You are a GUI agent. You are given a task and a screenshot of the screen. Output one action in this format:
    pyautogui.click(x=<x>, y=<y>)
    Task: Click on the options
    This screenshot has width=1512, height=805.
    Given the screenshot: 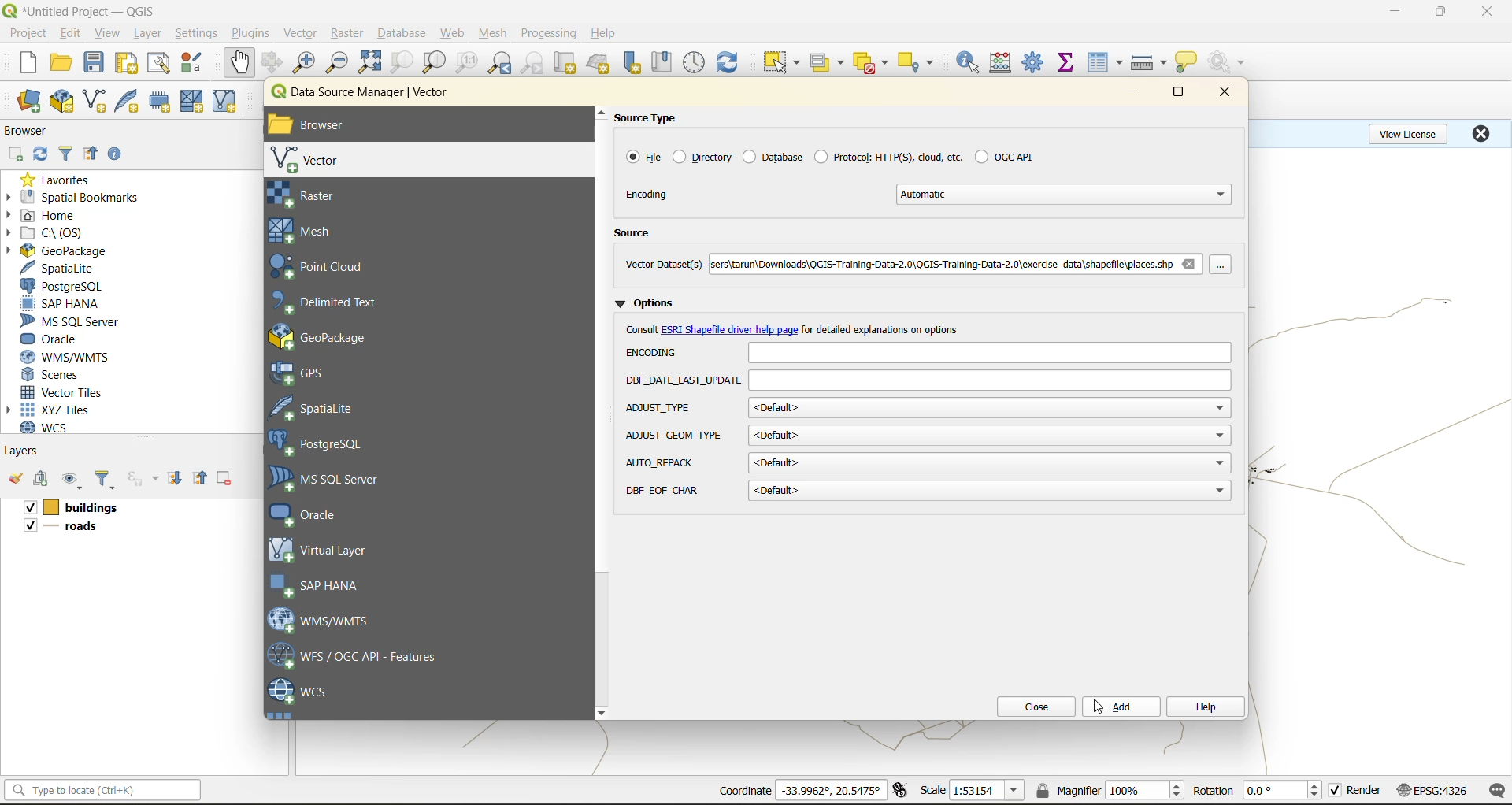 What is the action you would take?
    pyautogui.click(x=649, y=301)
    